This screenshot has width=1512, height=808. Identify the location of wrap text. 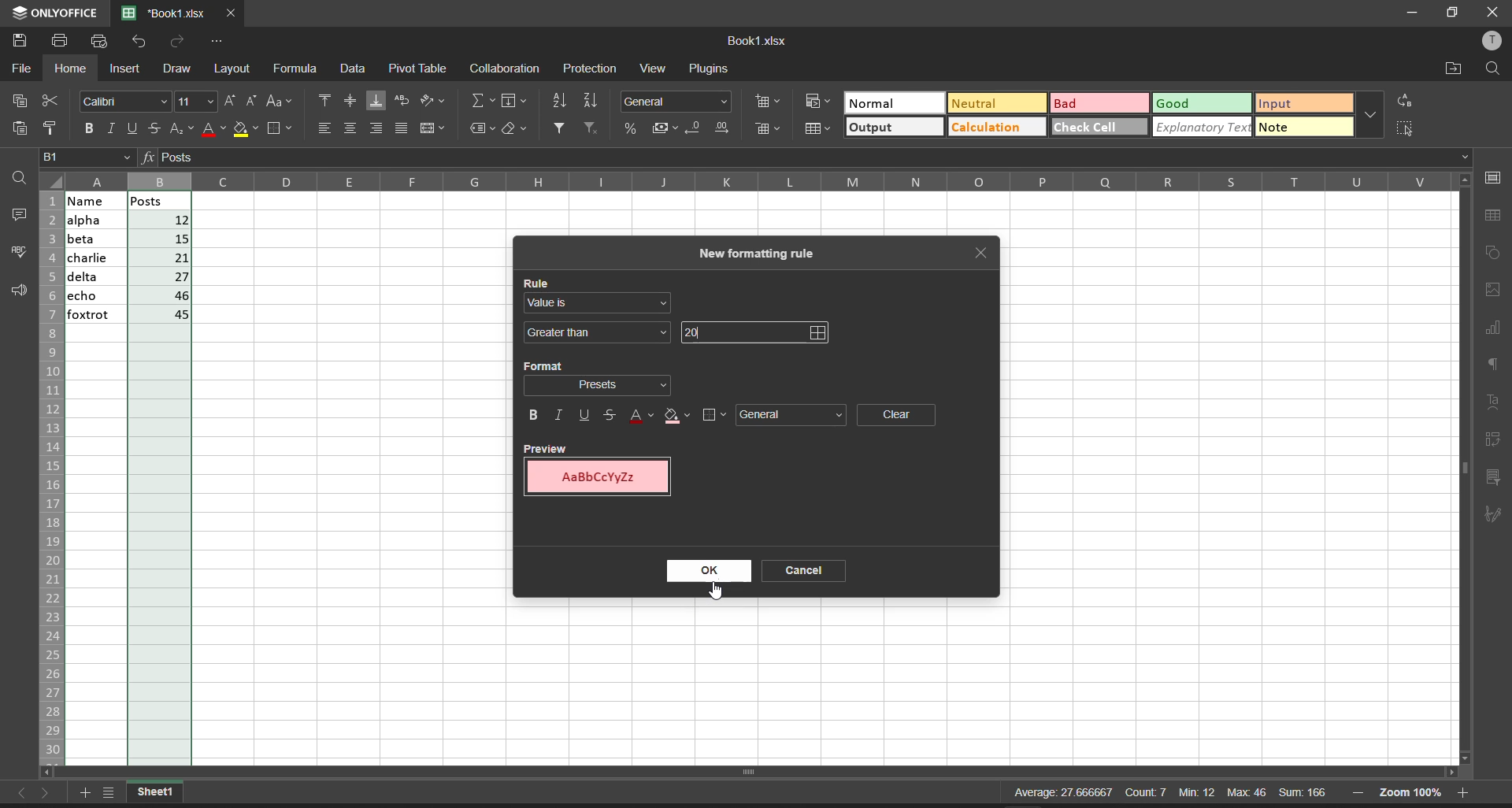
(401, 103).